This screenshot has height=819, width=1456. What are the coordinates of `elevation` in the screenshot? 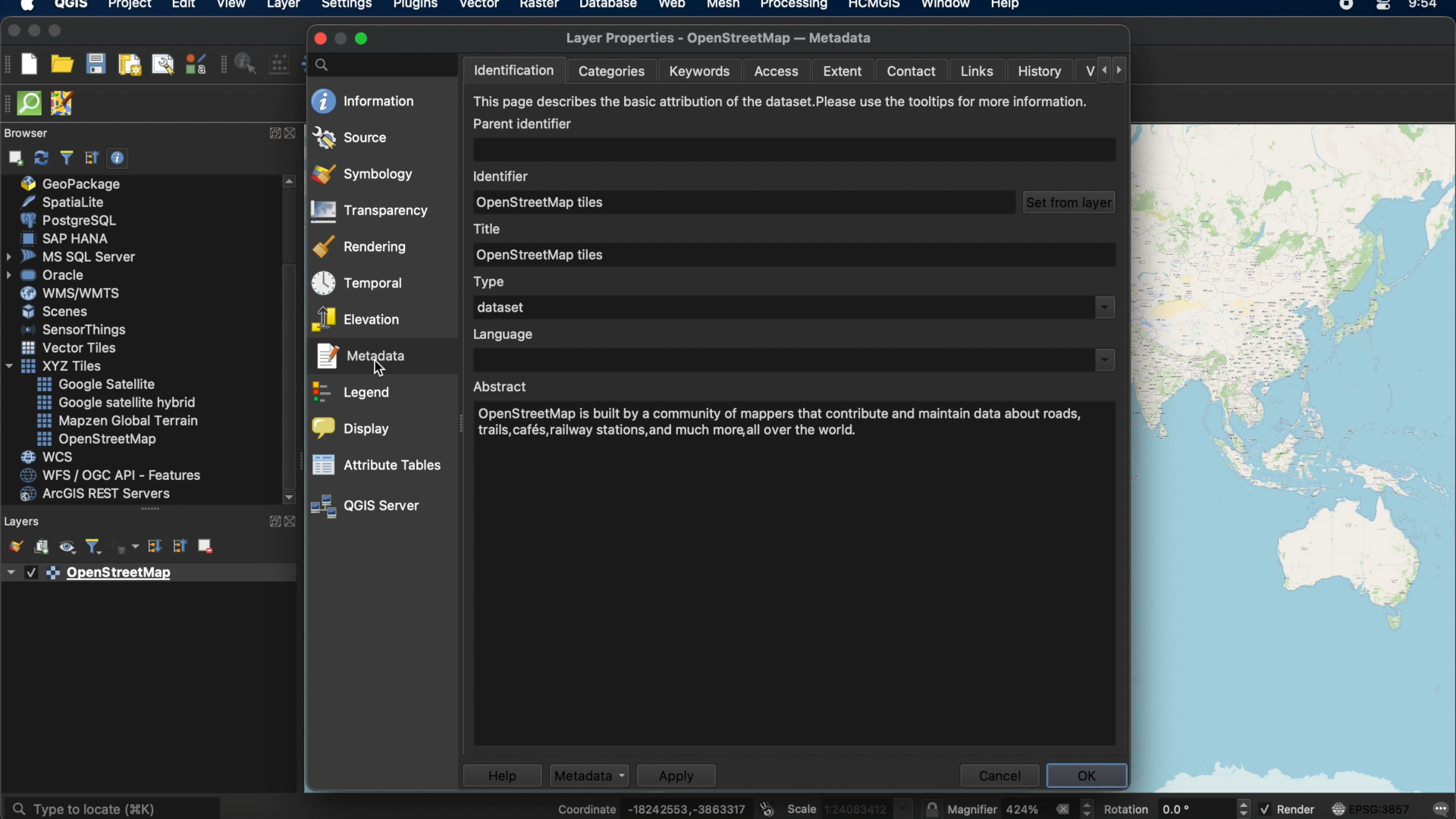 It's located at (356, 320).